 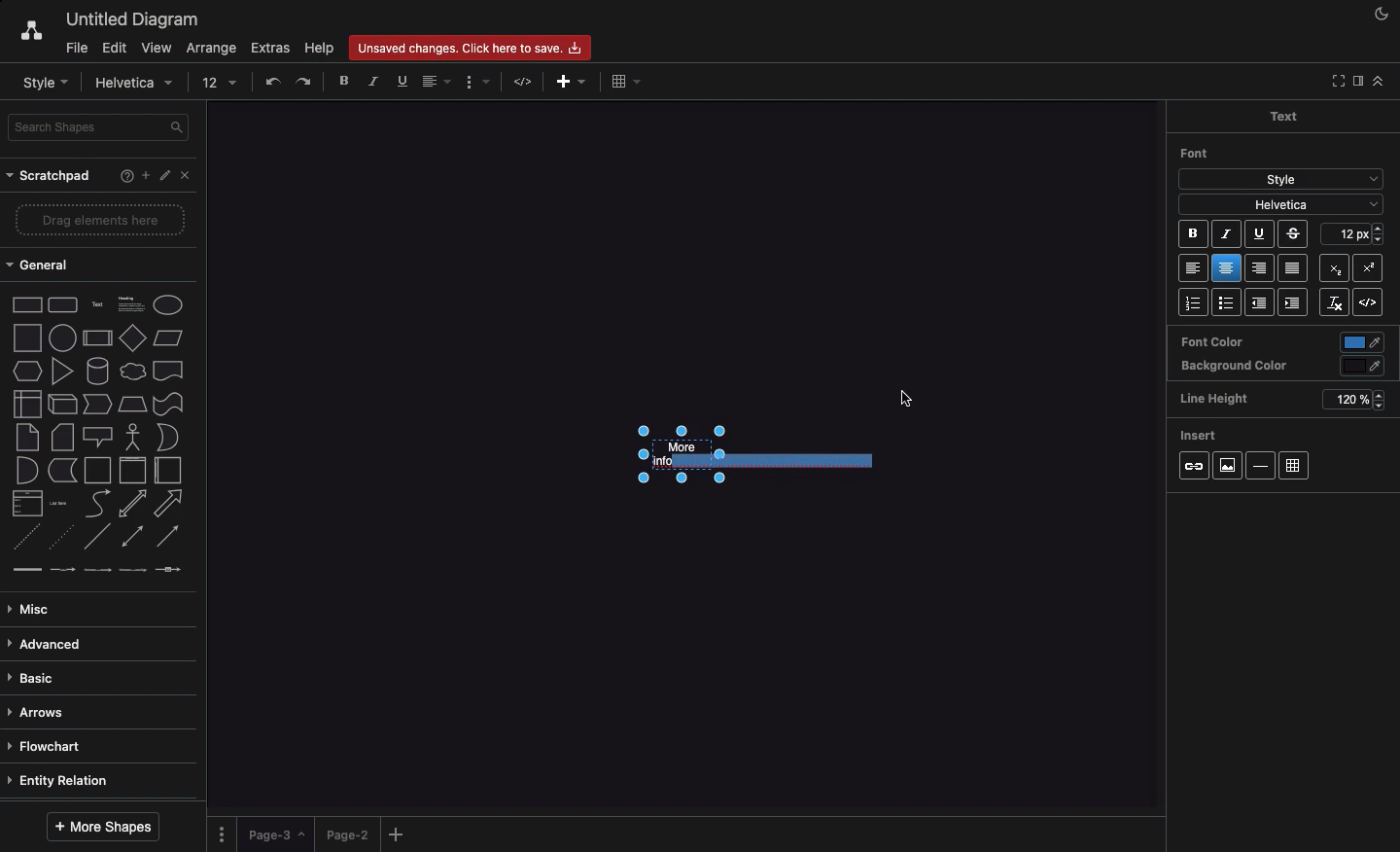 I want to click on dotted line, so click(x=59, y=536).